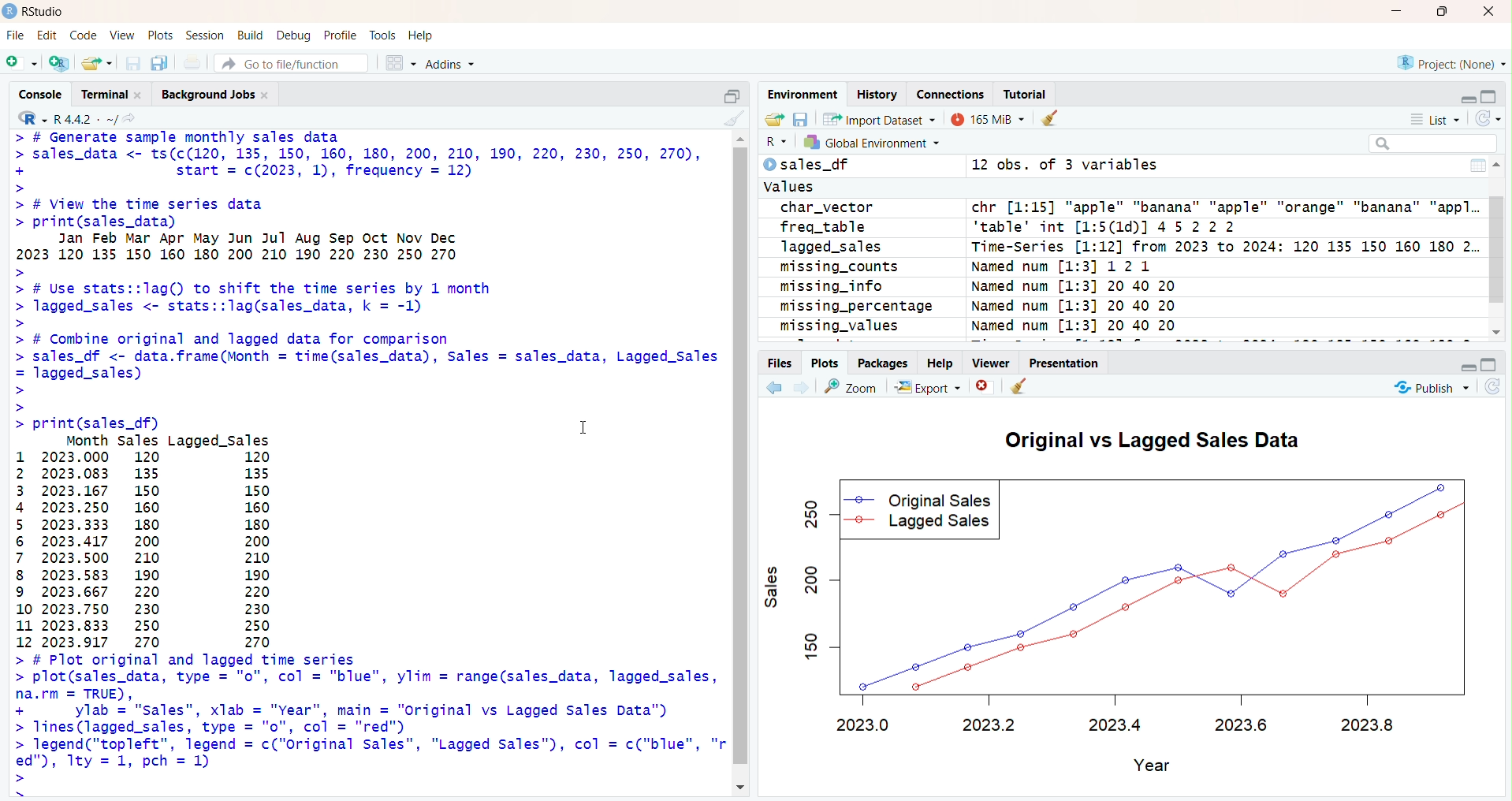 This screenshot has width=1512, height=801. Describe the element at coordinates (873, 143) in the screenshot. I see `global environment` at that location.